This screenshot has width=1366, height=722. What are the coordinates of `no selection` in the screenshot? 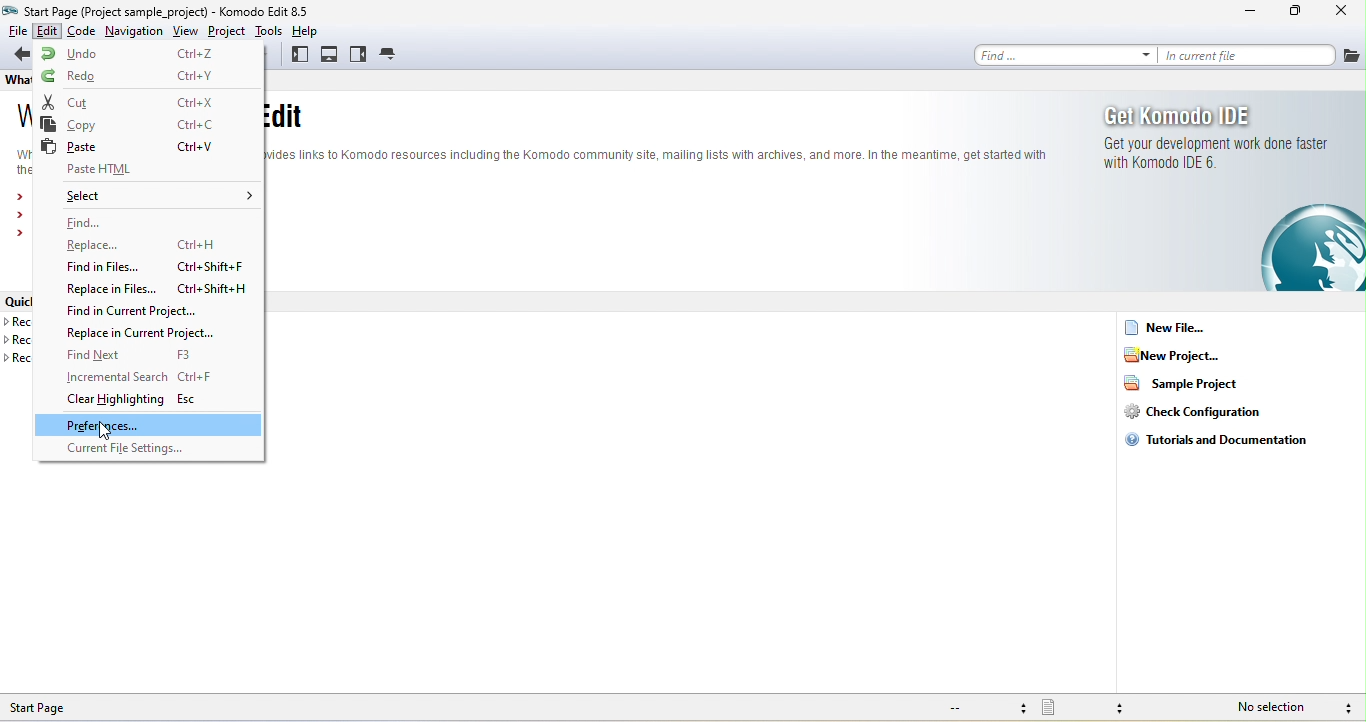 It's located at (1274, 706).